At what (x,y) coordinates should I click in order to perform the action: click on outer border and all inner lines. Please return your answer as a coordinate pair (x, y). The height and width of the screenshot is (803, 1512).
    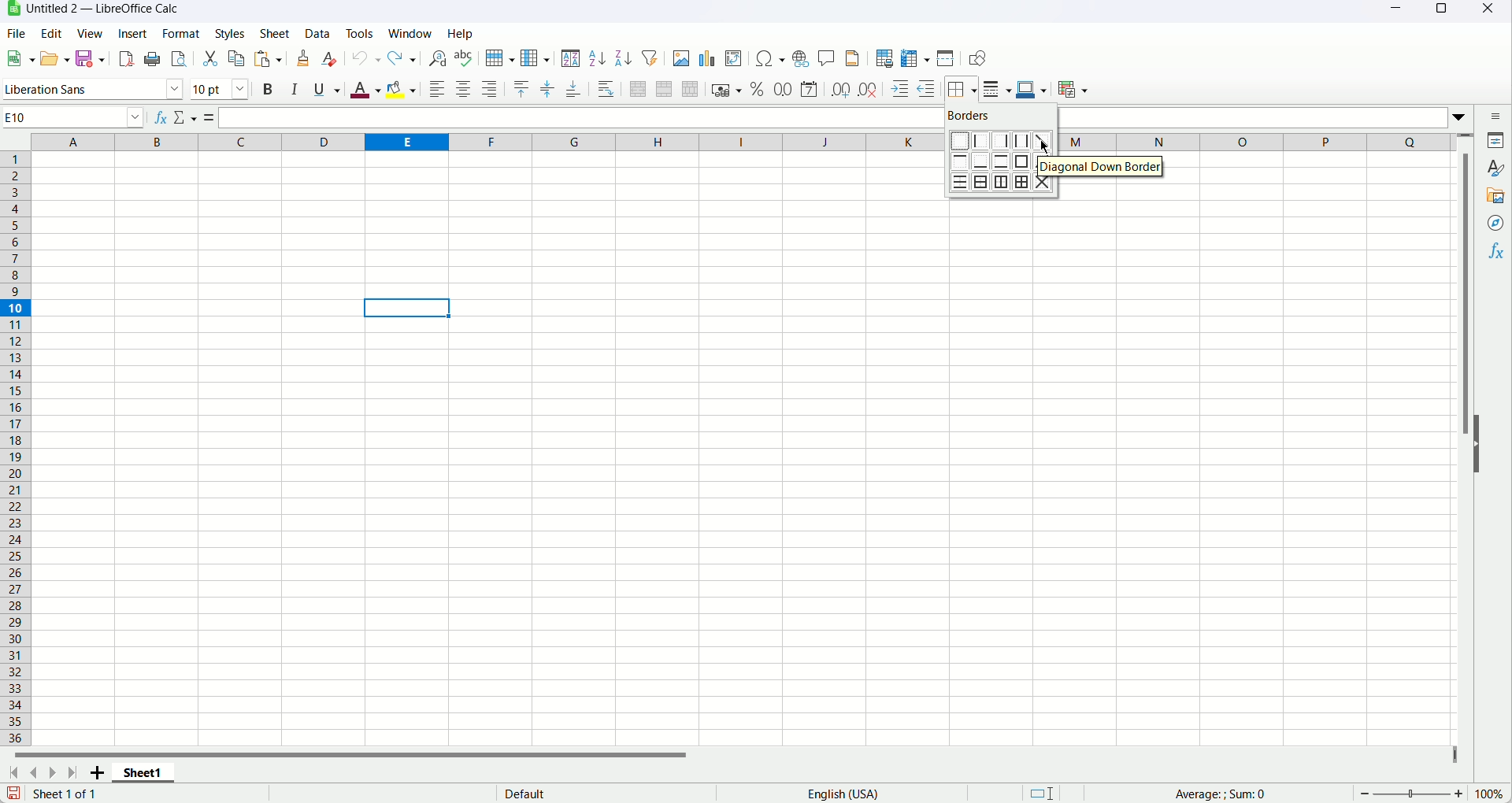
    Looking at the image, I should click on (1023, 182).